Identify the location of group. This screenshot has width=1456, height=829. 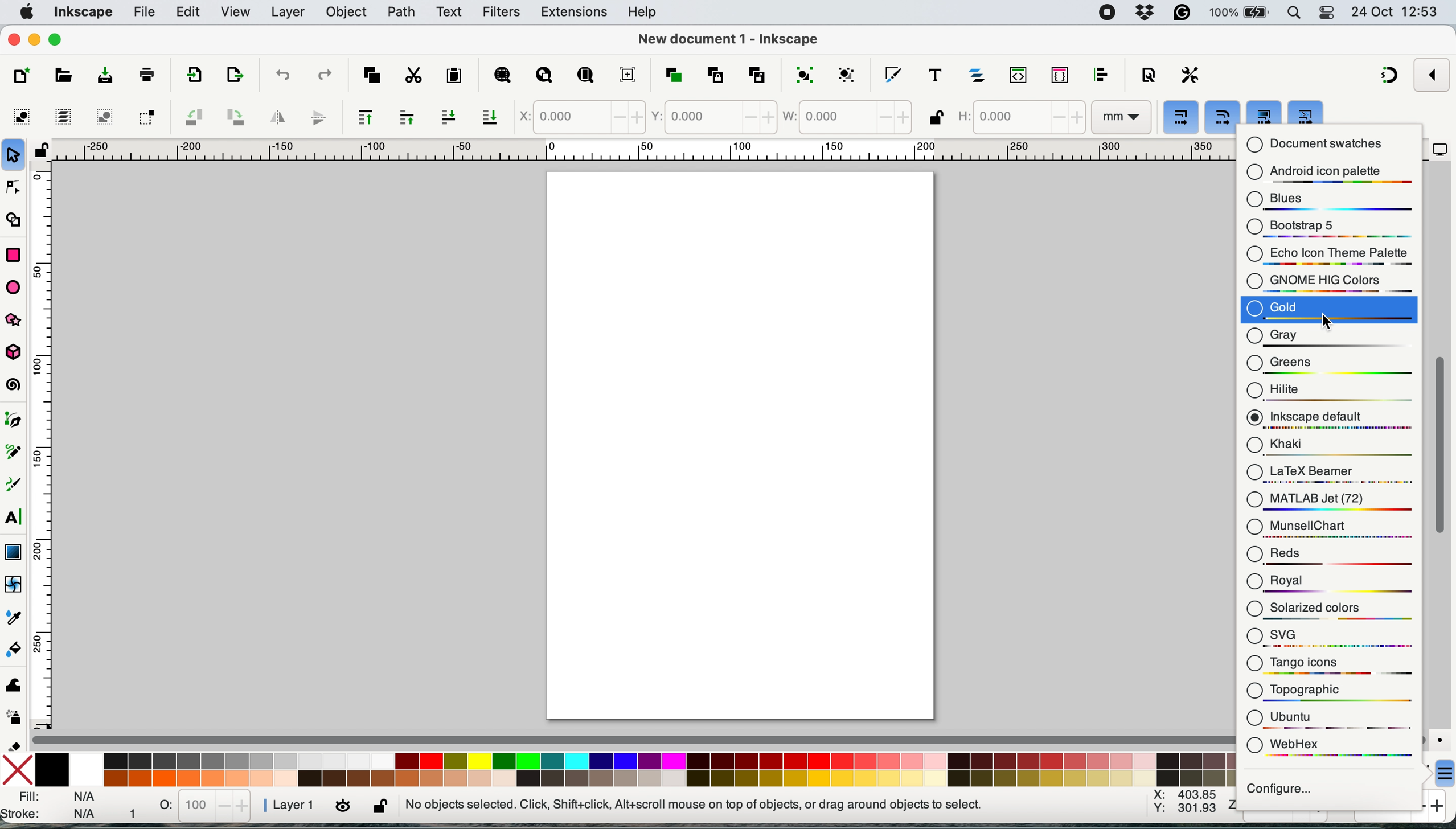
(803, 73).